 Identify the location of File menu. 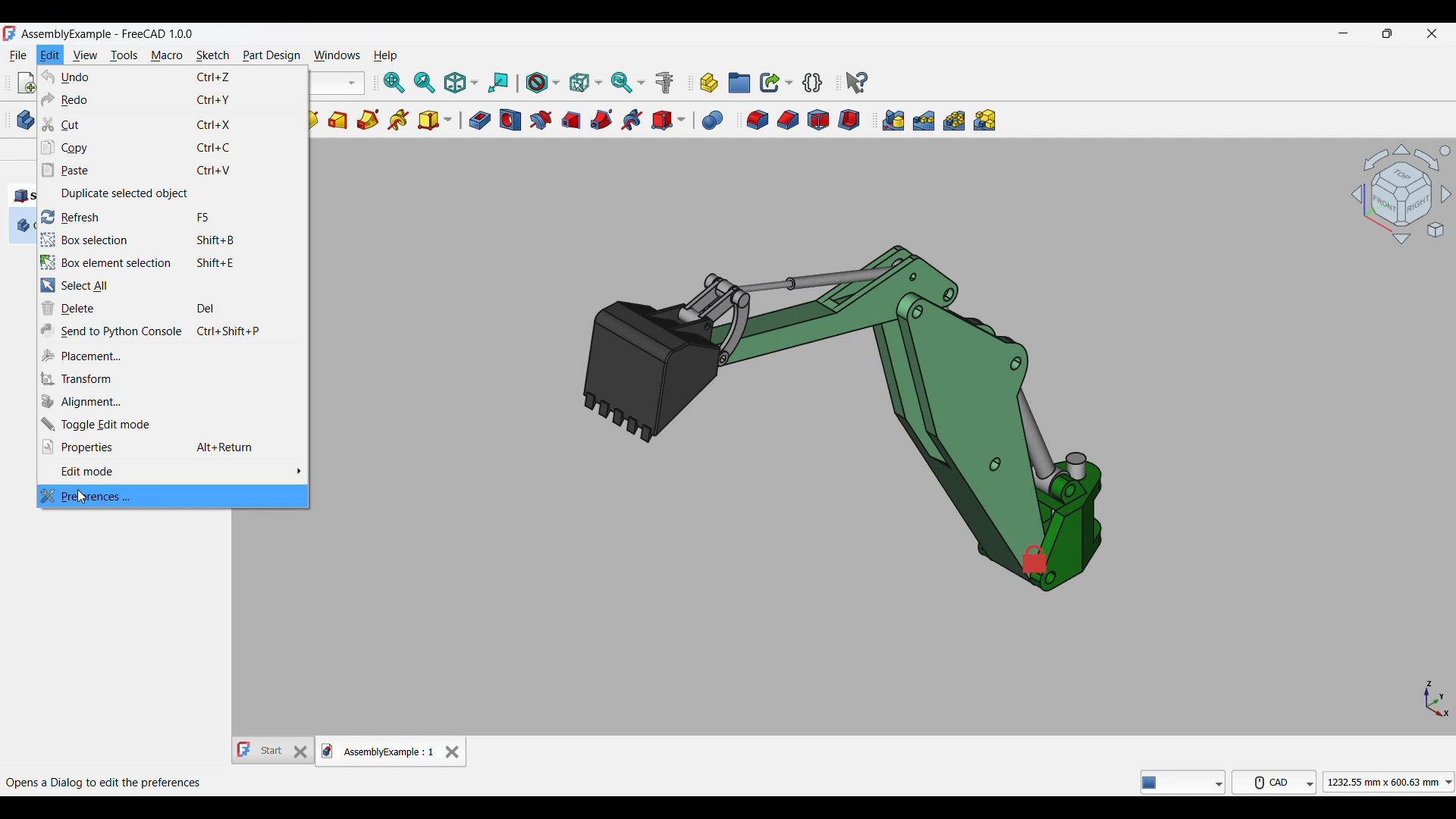
(18, 55).